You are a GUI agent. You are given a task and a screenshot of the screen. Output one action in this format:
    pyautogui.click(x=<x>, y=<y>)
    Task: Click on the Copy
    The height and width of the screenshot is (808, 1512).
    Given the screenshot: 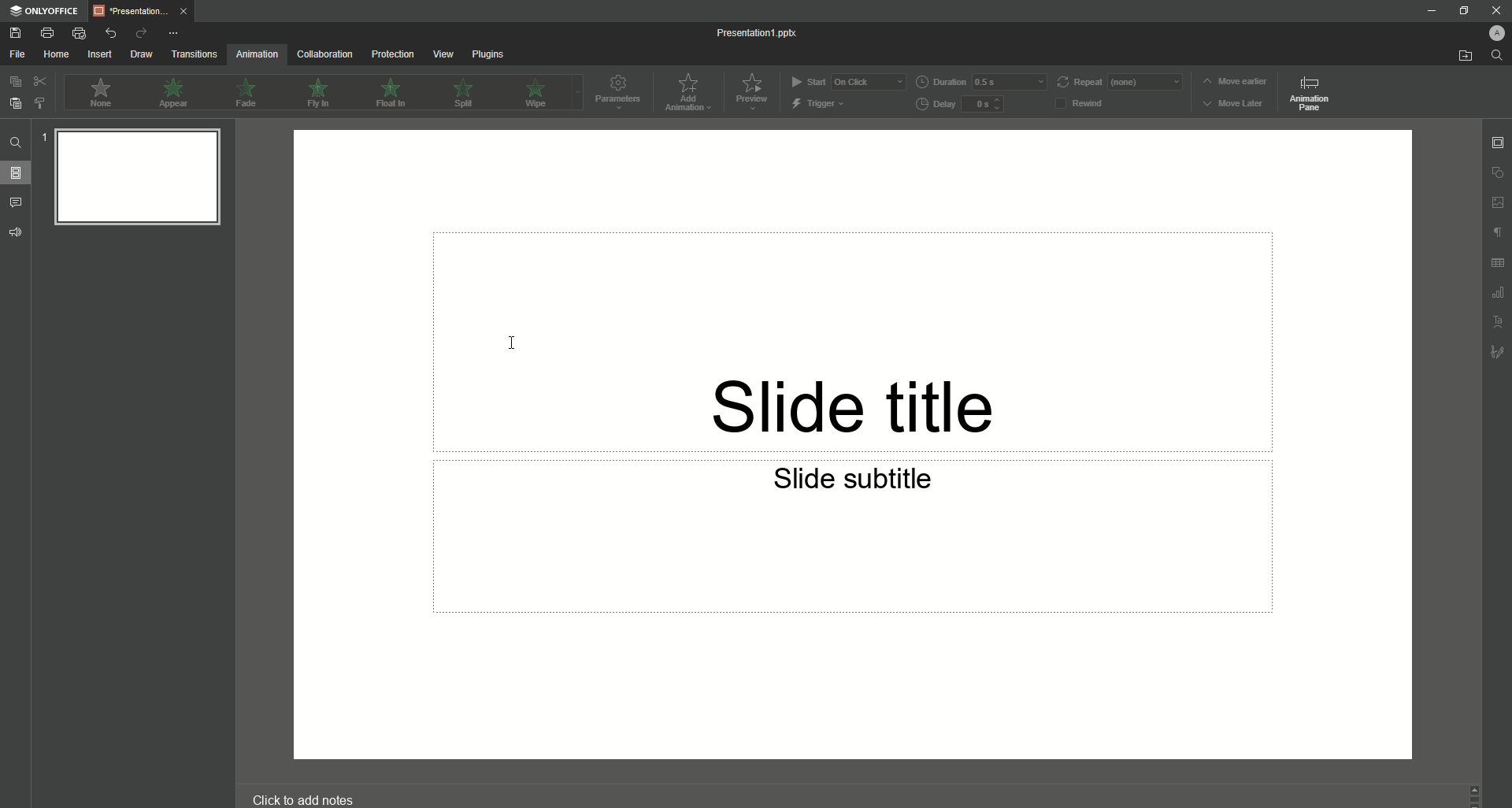 What is the action you would take?
    pyautogui.click(x=13, y=82)
    